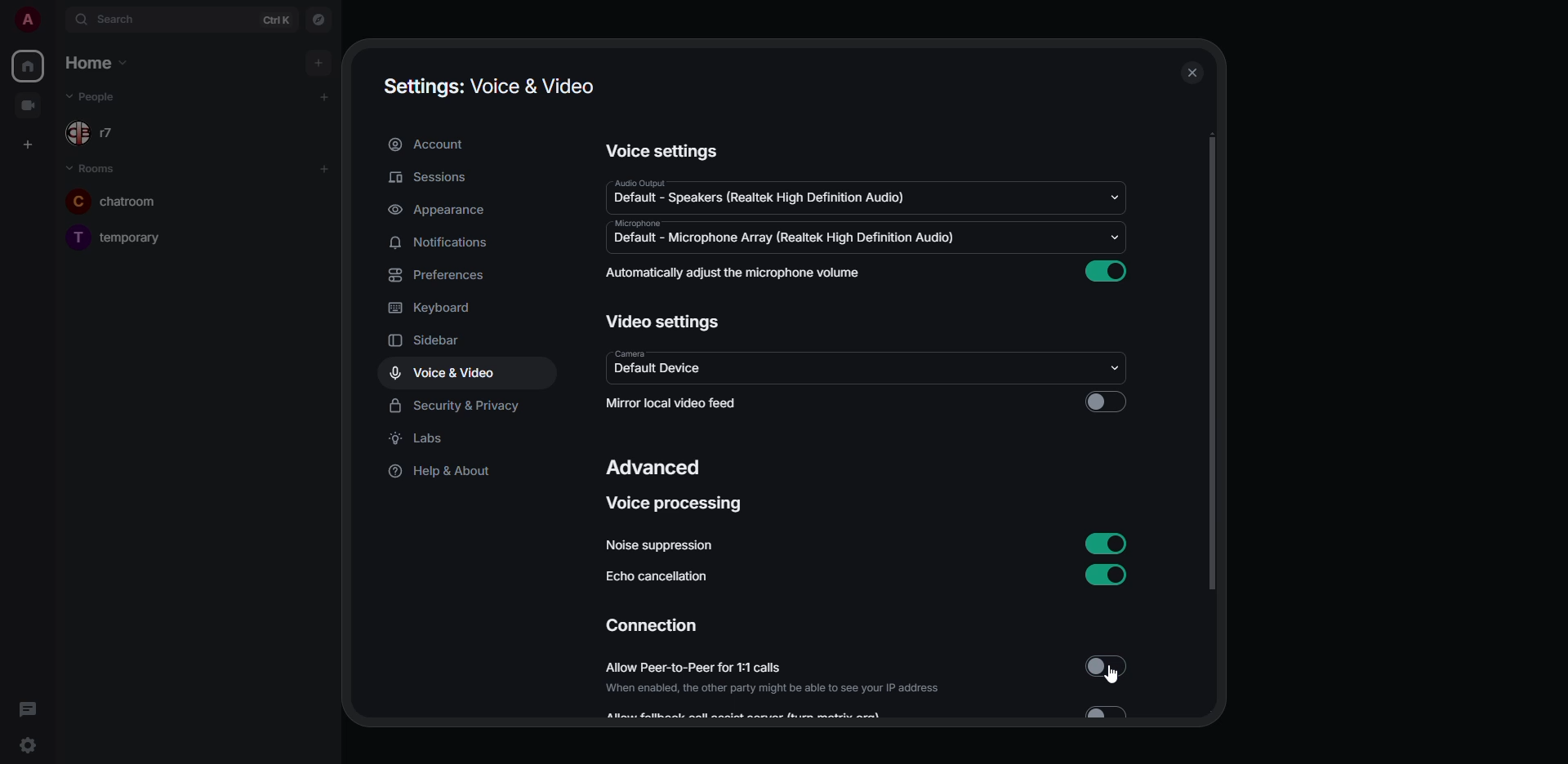 This screenshot has height=764, width=1568. I want to click on voice processing, so click(677, 508).